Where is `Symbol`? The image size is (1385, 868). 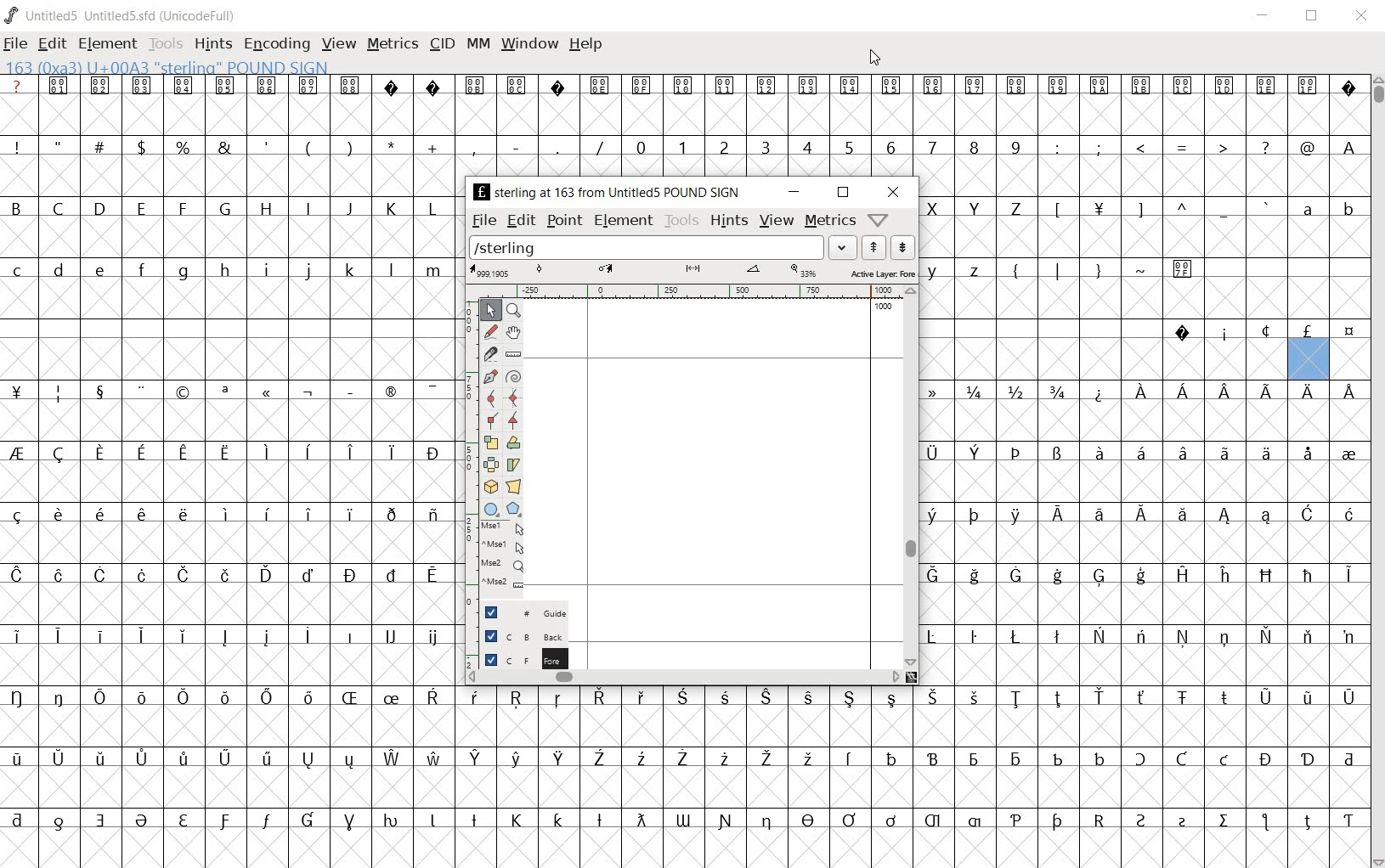 Symbol is located at coordinates (1223, 698).